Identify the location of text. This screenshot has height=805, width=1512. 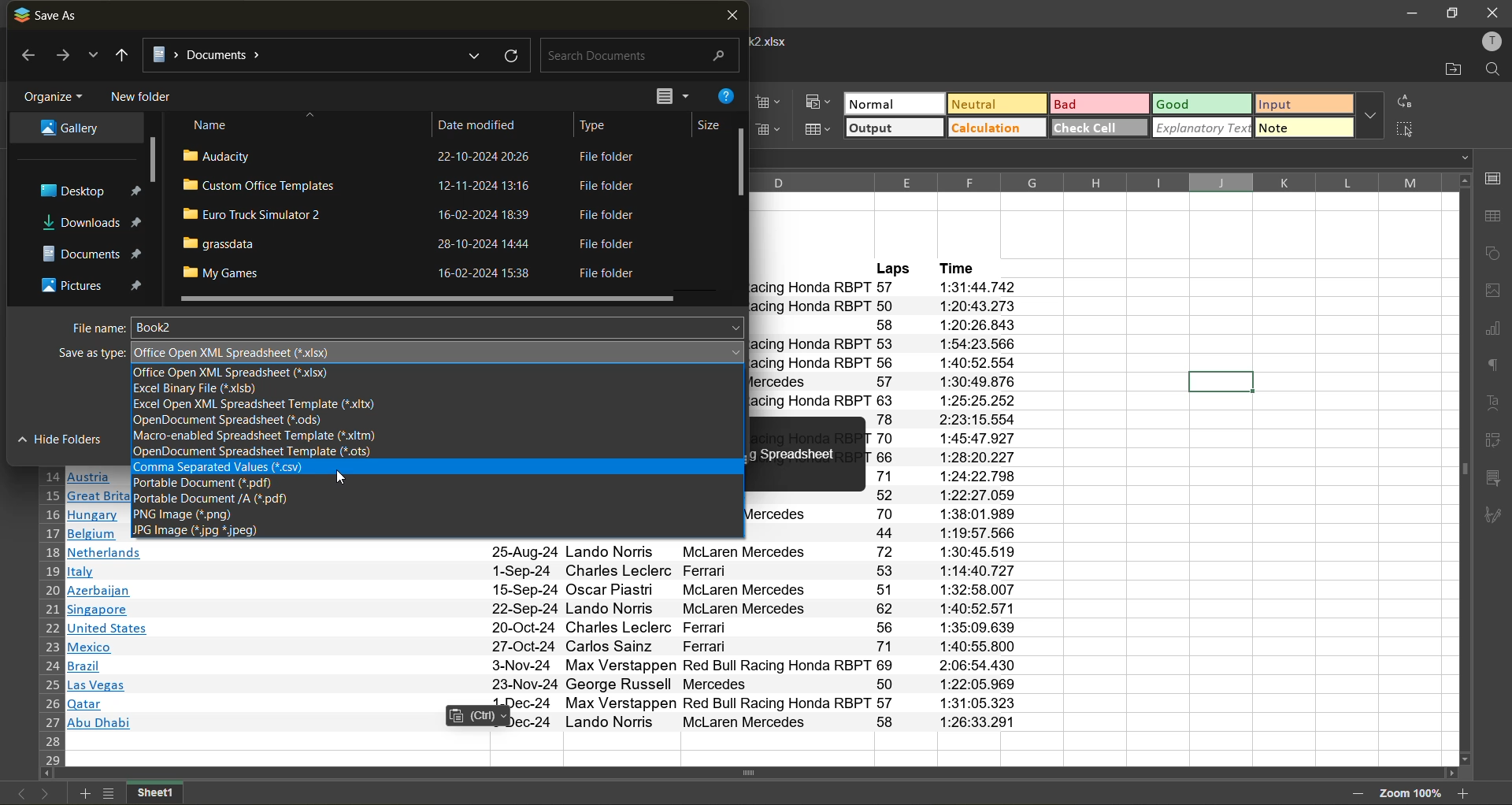
(1493, 403).